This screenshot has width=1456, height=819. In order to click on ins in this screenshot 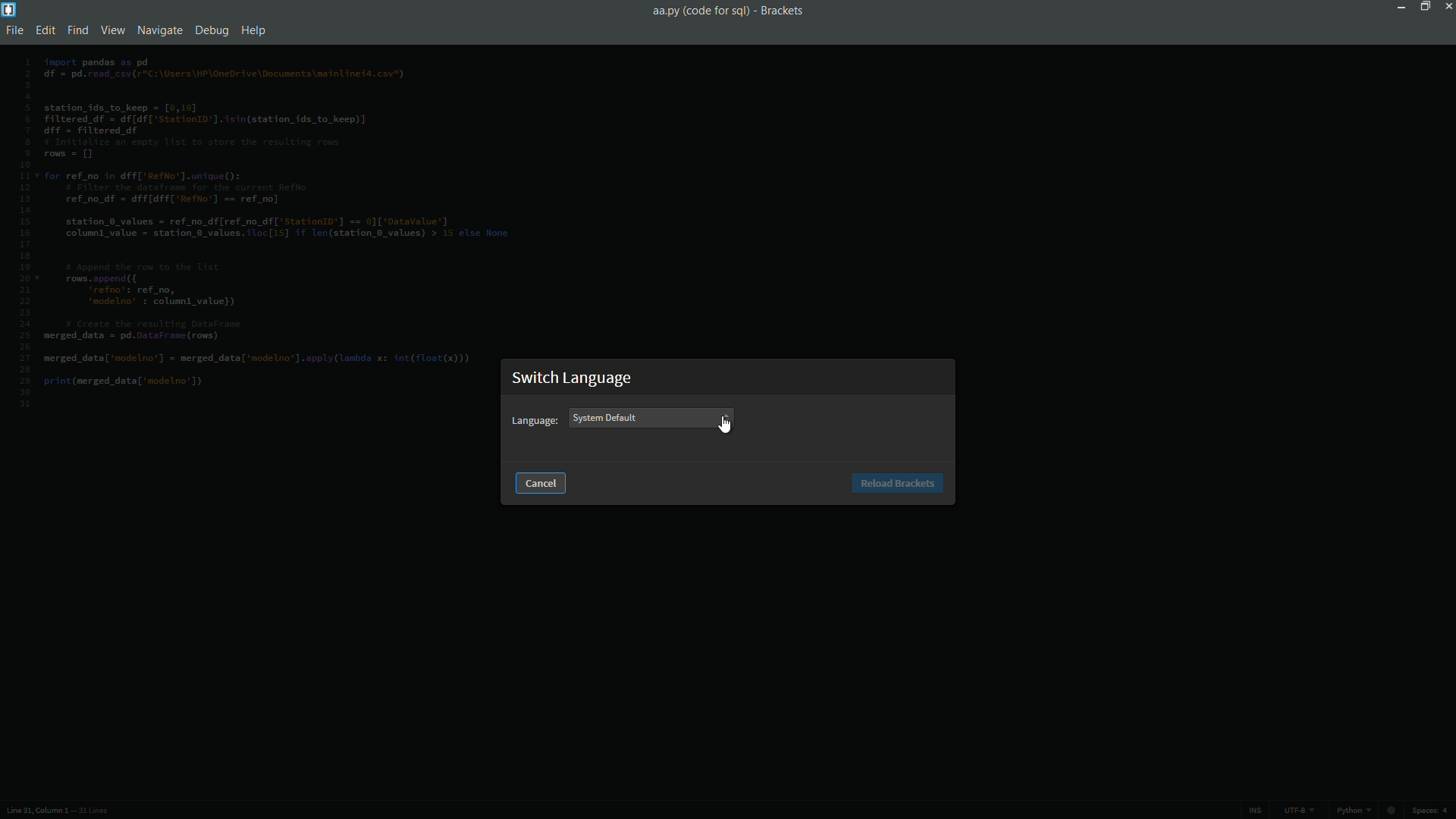, I will do `click(1254, 811)`.